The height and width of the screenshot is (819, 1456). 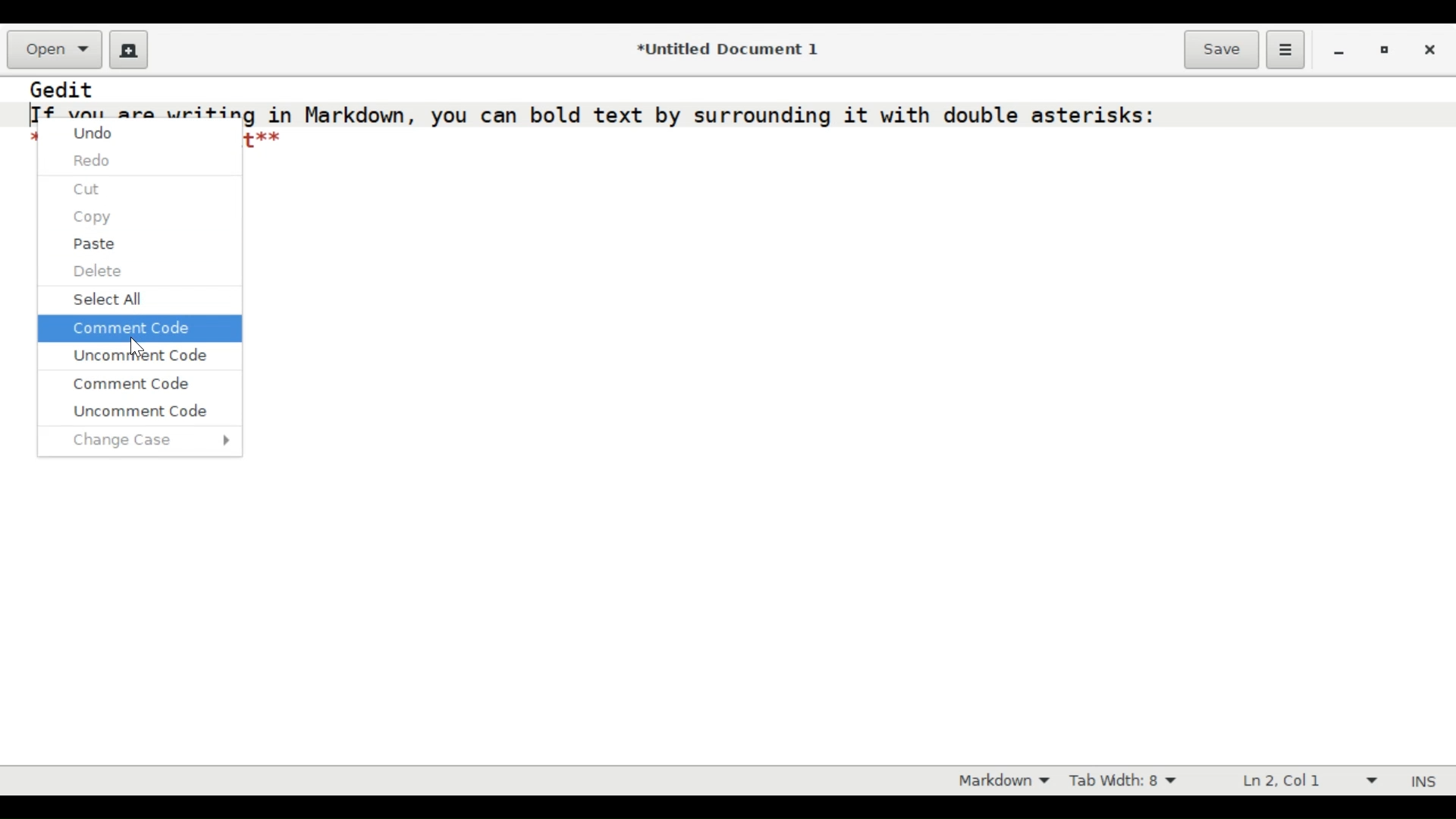 What do you see at coordinates (1005, 782) in the screenshot?
I see `Highlight mode dropdown menu` at bounding box center [1005, 782].